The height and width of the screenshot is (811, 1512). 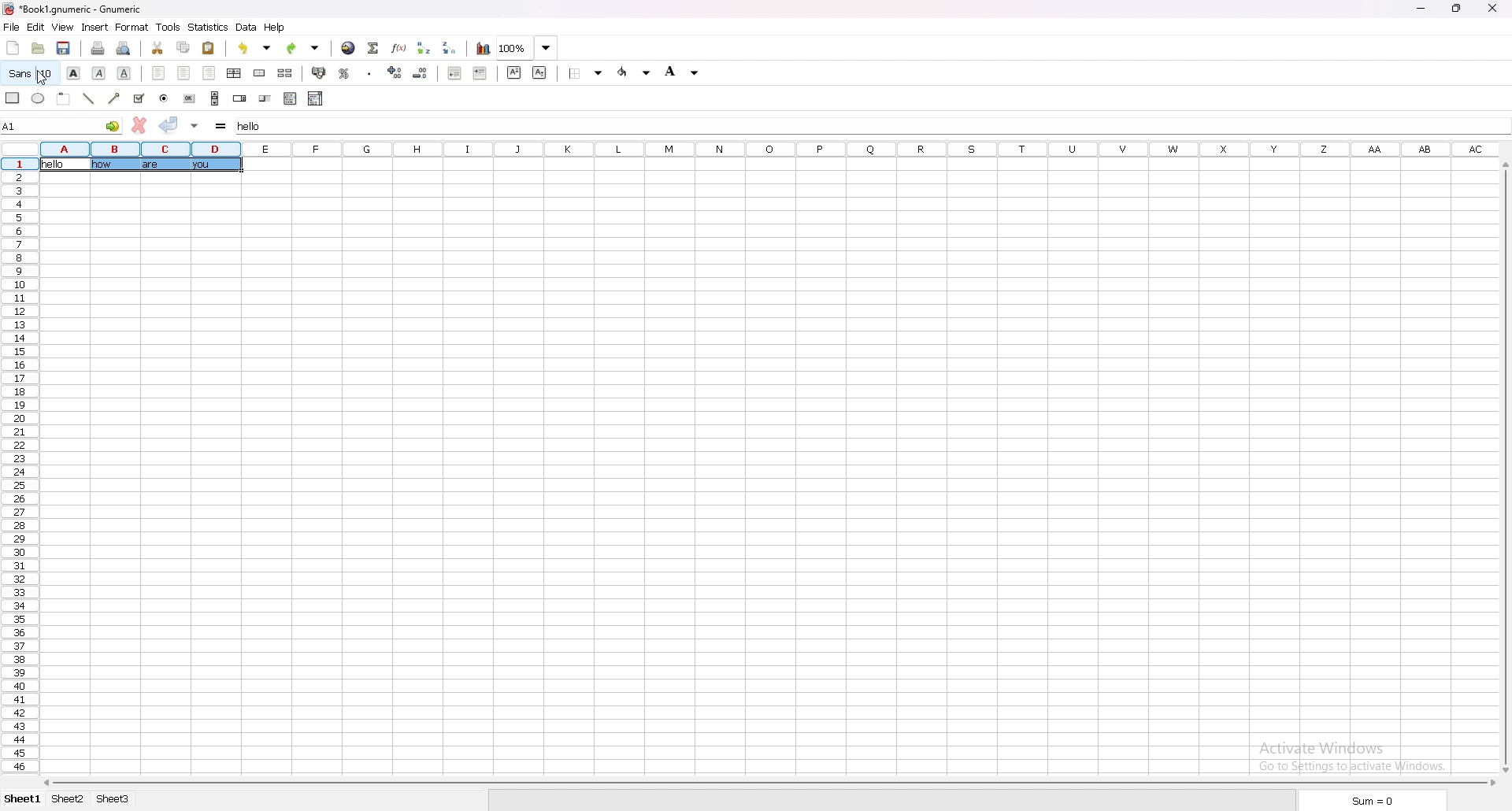 I want to click on summation, so click(x=373, y=46).